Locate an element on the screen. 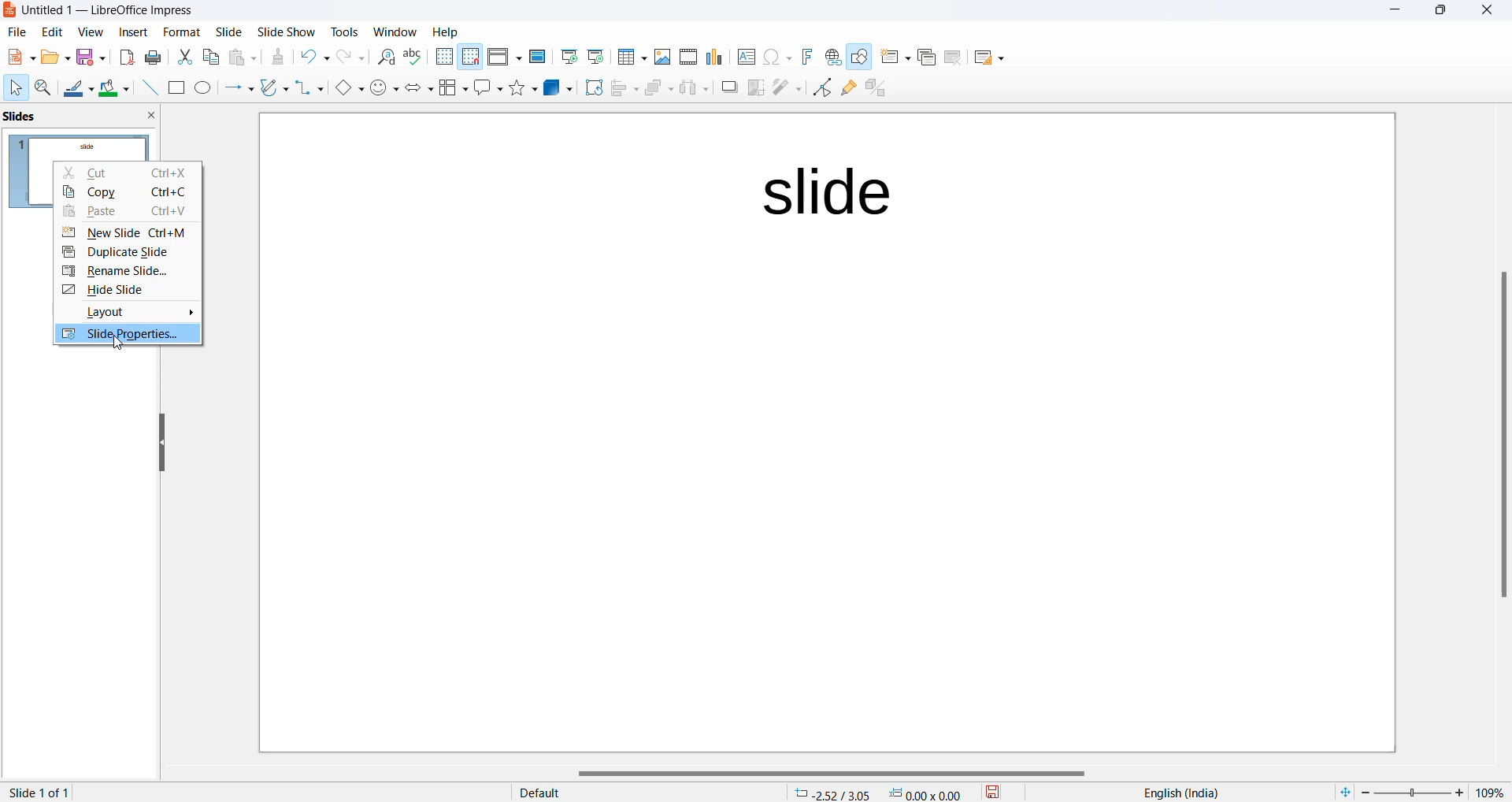  display grid is located at coordinates (443, 58).